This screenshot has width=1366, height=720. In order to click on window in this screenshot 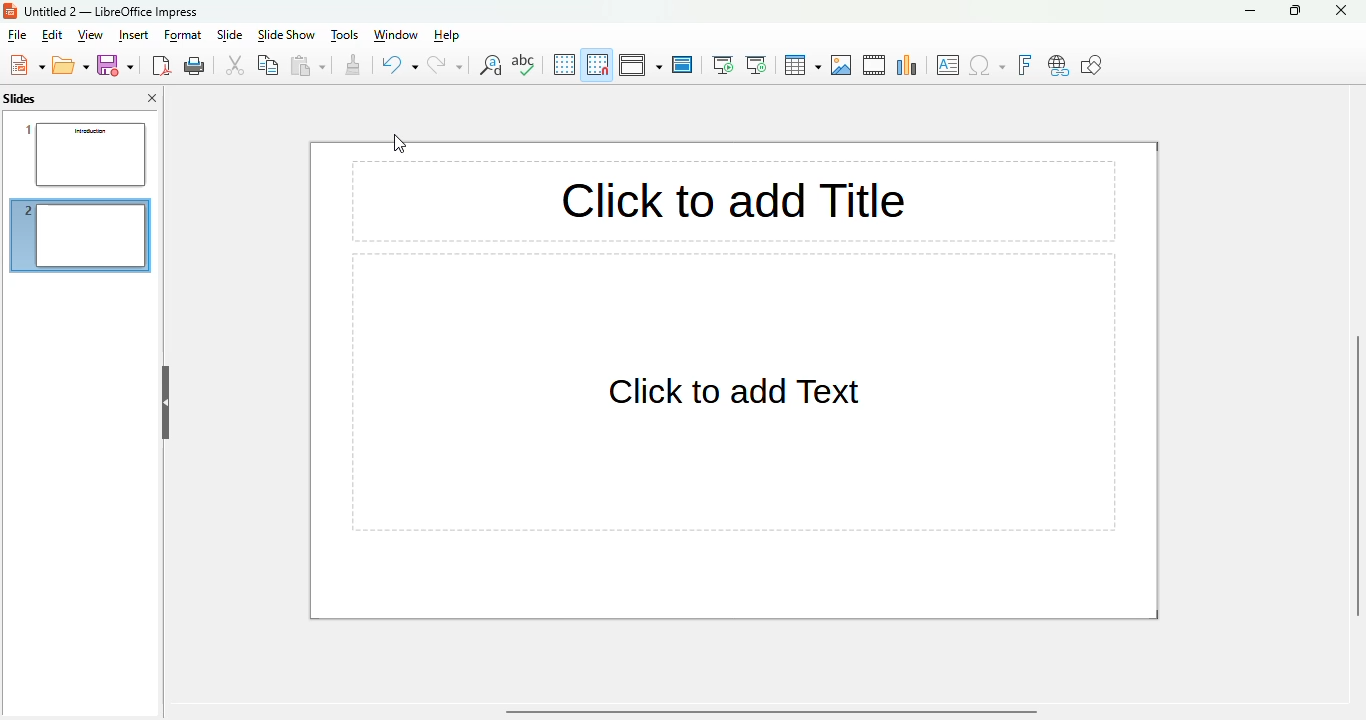, I will do `click(394, 35)`.